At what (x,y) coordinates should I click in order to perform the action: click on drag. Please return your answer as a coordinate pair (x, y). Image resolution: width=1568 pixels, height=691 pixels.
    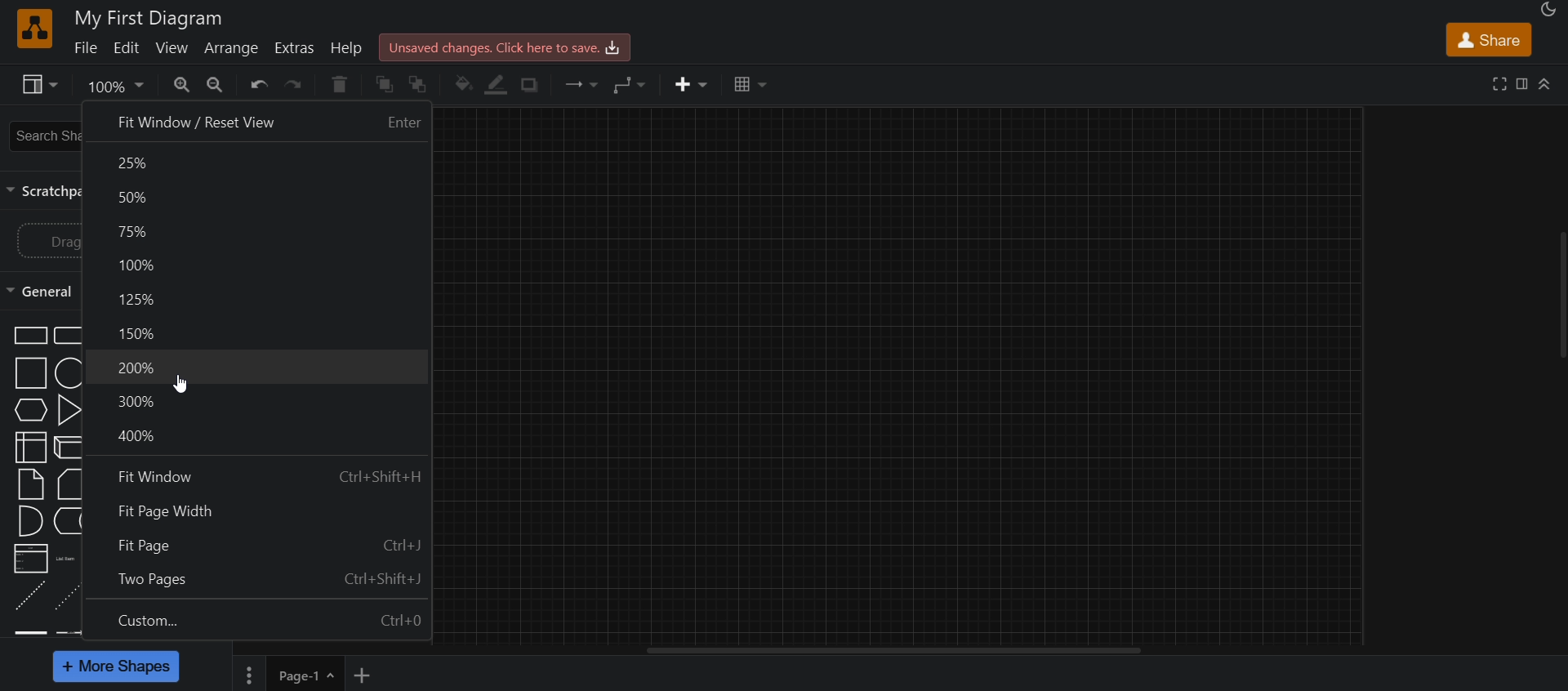
    Looking at the image, I should click on (56, 241).